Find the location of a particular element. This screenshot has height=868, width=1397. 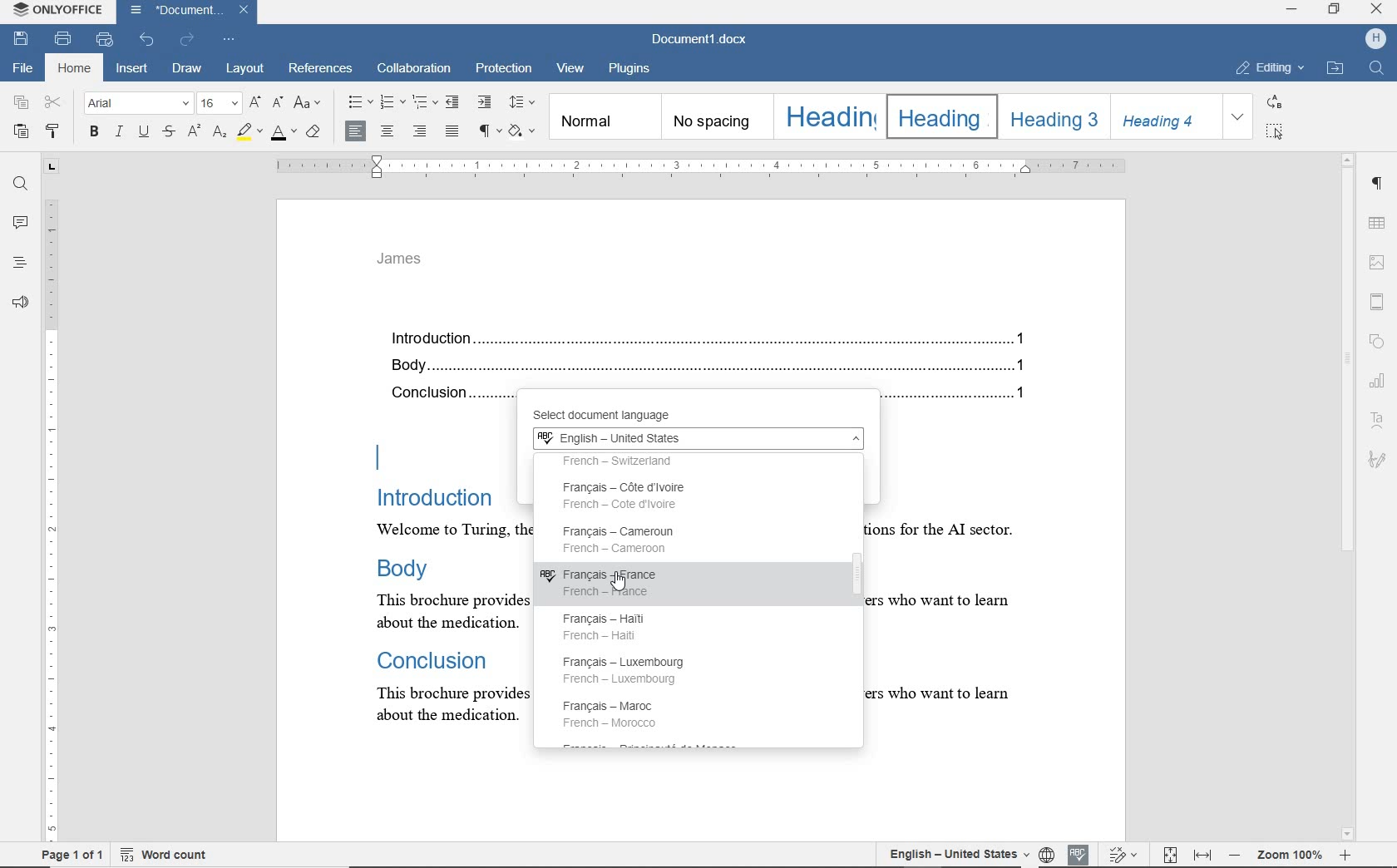

header & footer is located at coordinates (1380, 301).